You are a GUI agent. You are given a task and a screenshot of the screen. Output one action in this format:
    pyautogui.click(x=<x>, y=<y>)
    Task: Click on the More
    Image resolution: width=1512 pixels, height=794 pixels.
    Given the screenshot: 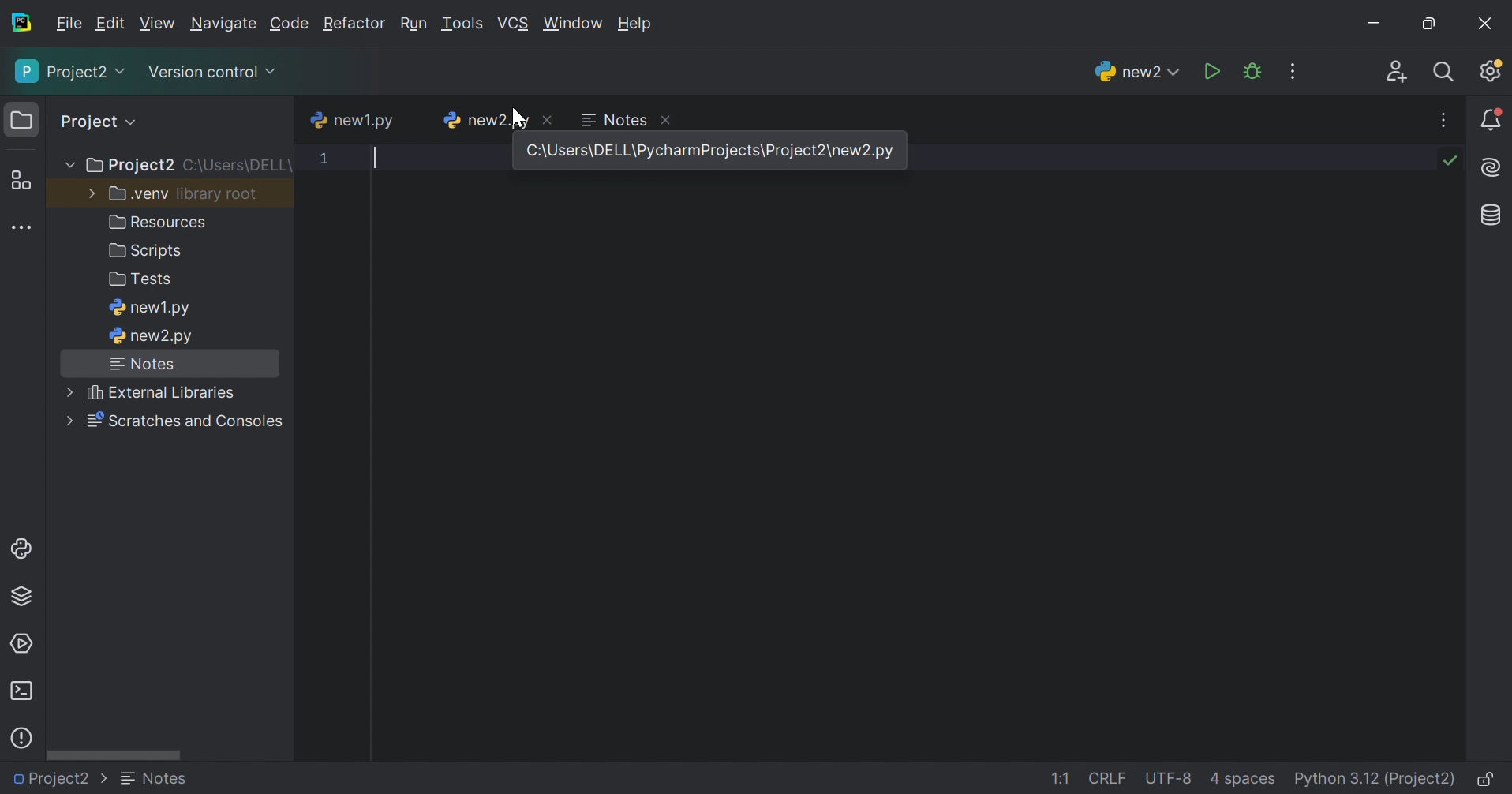 What is the action you would take?
    pyautogui.click(x=67, y=164)
    